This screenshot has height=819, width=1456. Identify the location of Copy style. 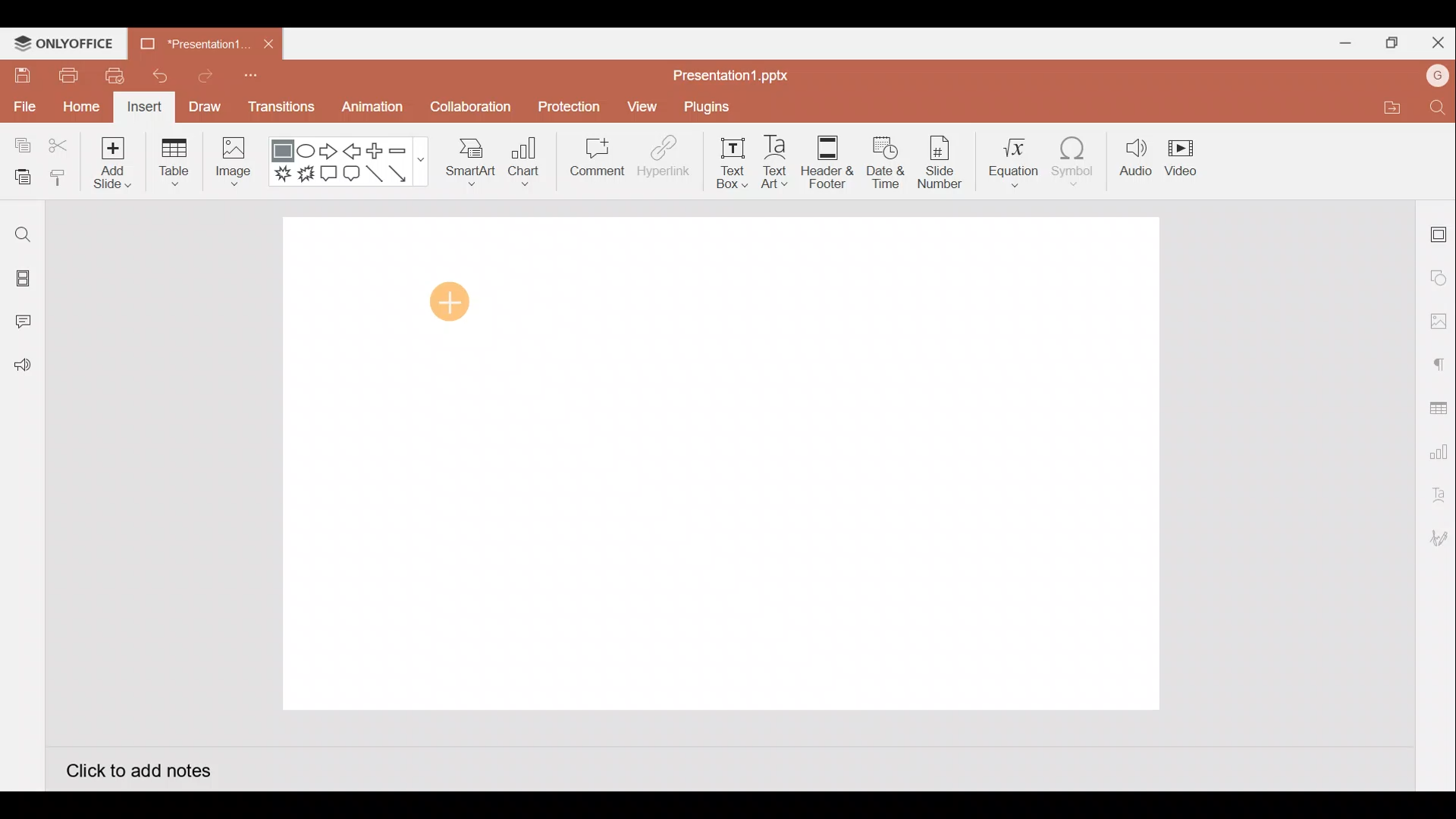
(59, 180).